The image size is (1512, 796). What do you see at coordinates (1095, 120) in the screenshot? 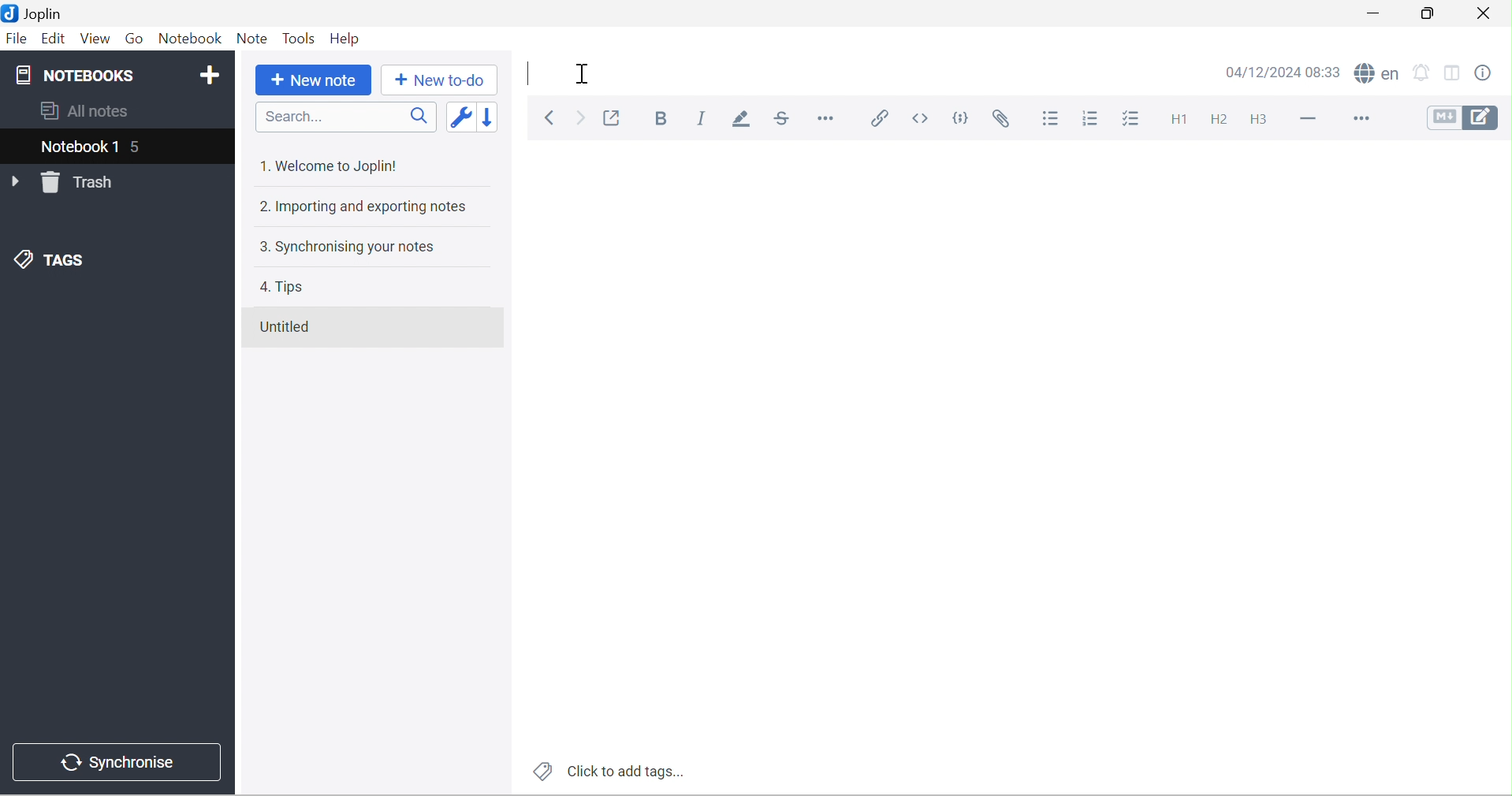
I see `Numbered list` at bounding box center [1095, 120].